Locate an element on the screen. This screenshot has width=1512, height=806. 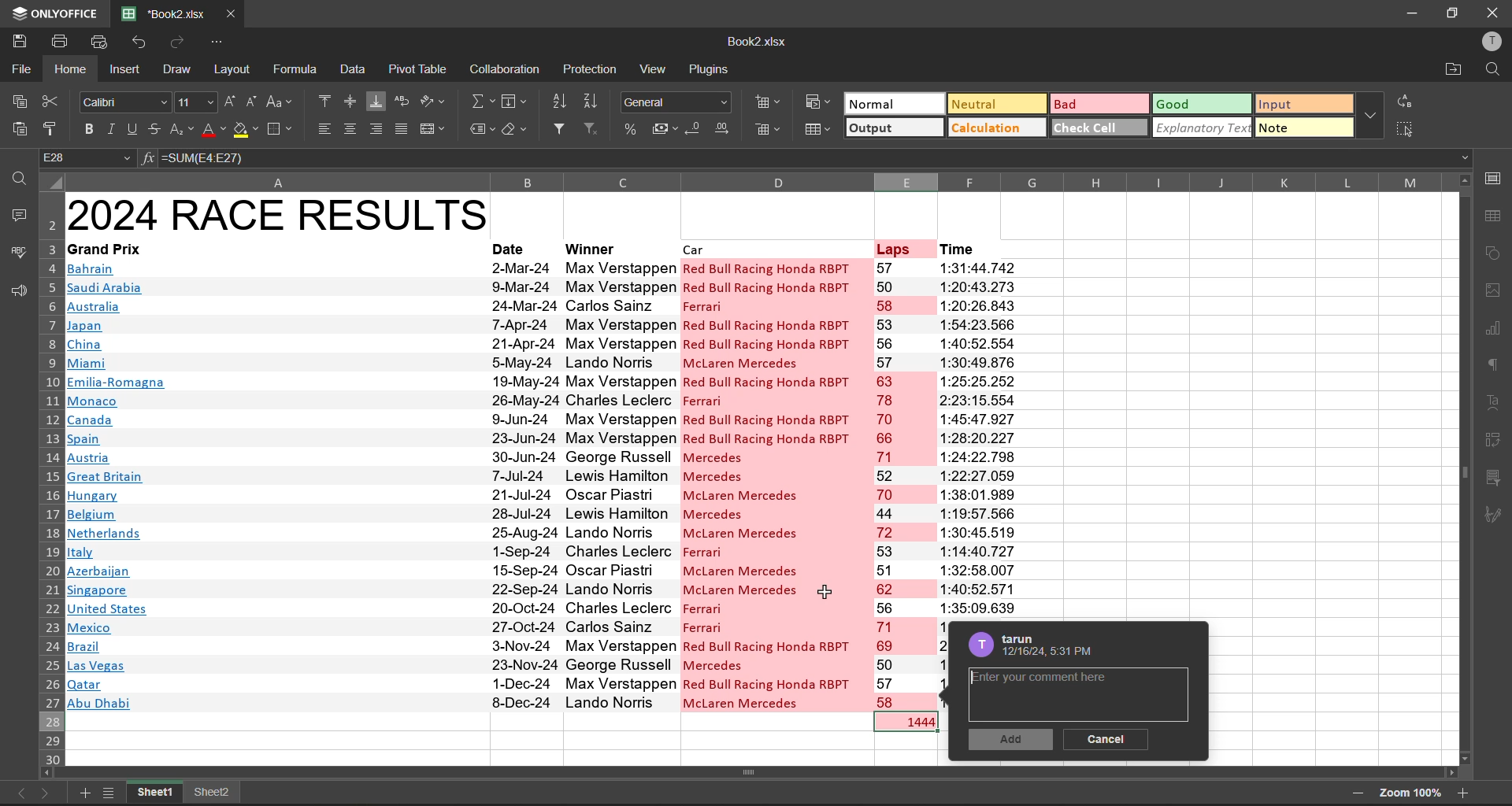
column name is located at coordinates (751, 181).